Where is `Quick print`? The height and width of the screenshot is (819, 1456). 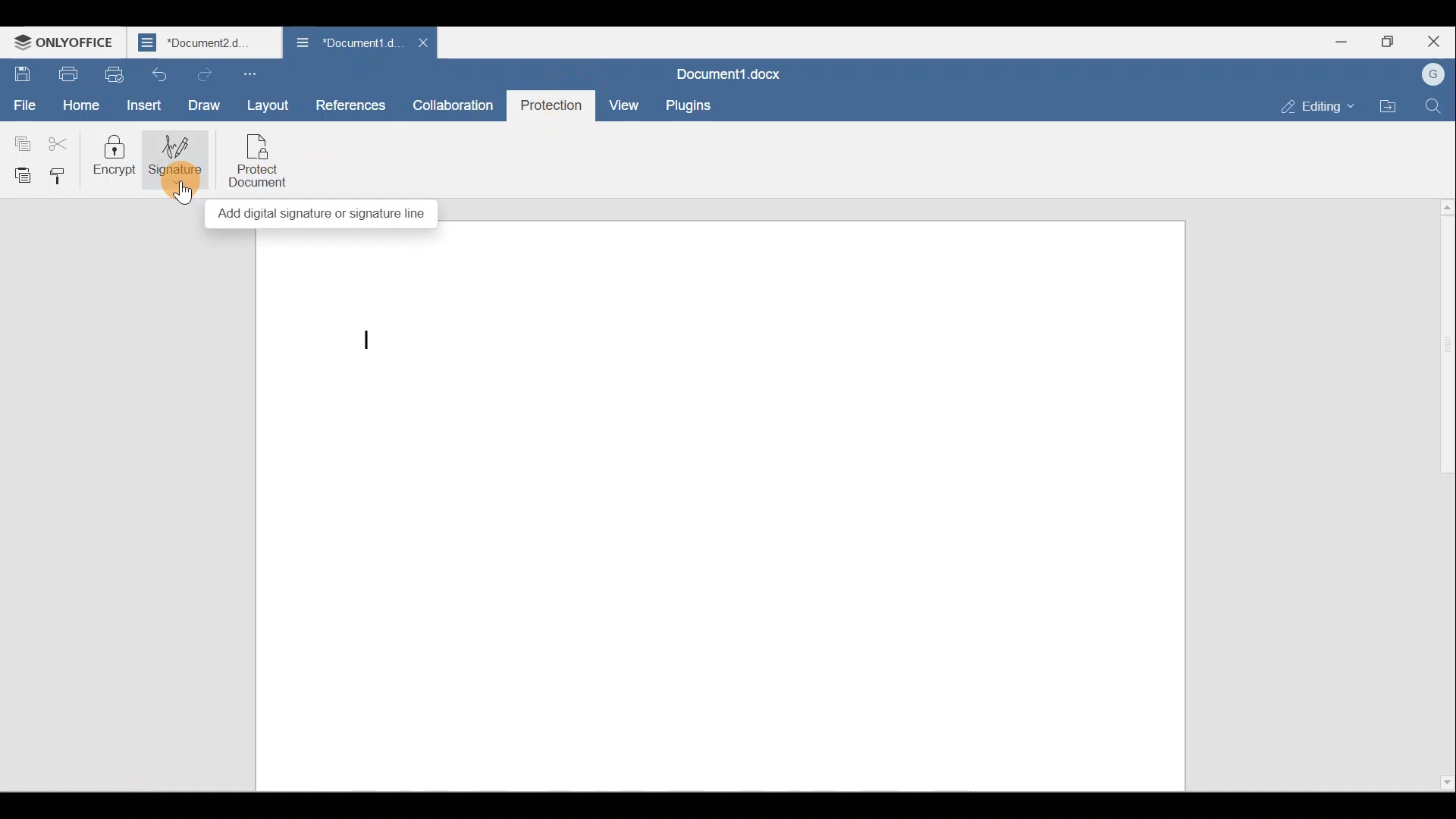 Quick print is located at coordinates (117, 73).